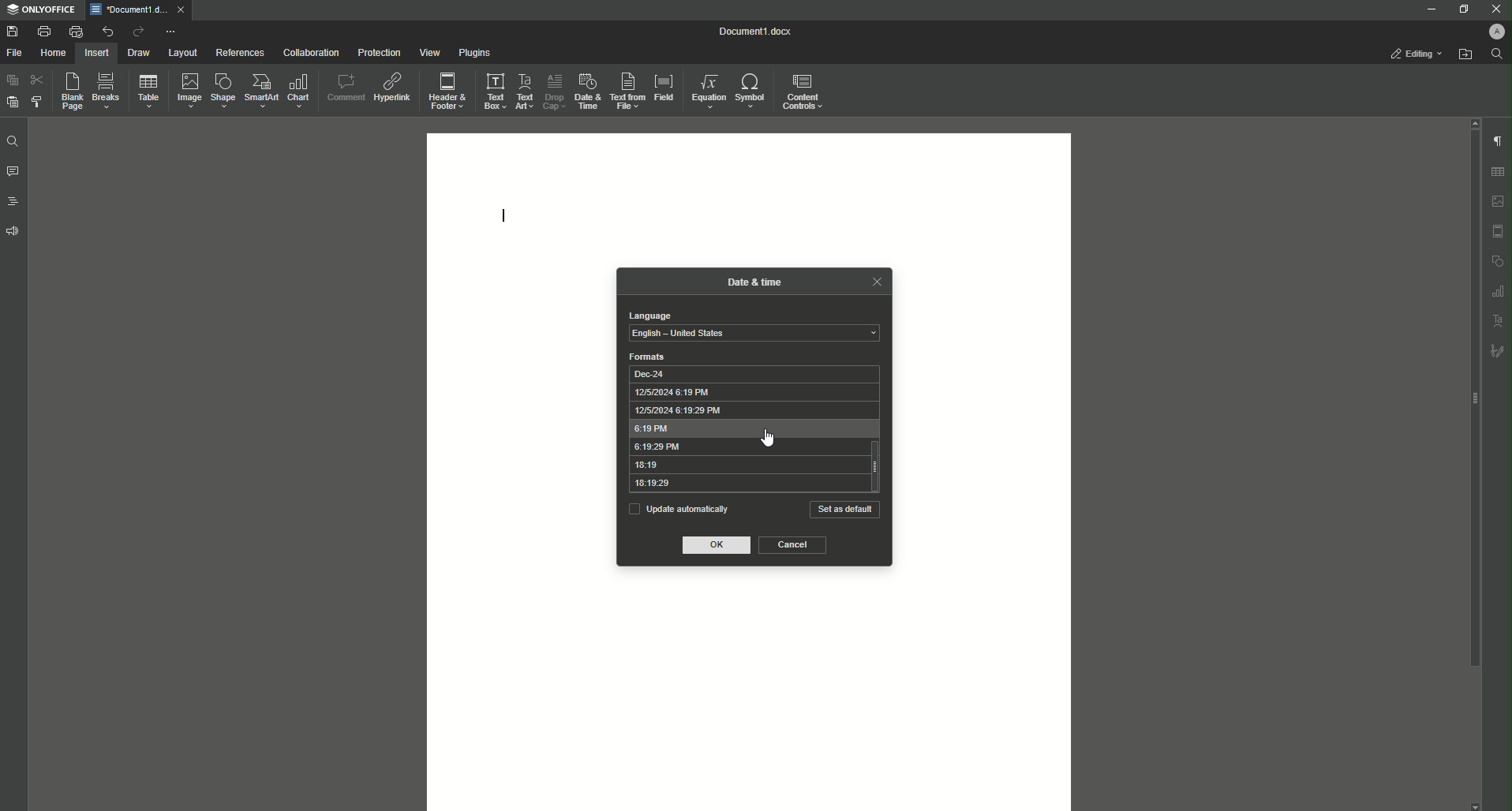 This screenshot has height=811, width=1512. I want to click on Field, so click(664, 88).